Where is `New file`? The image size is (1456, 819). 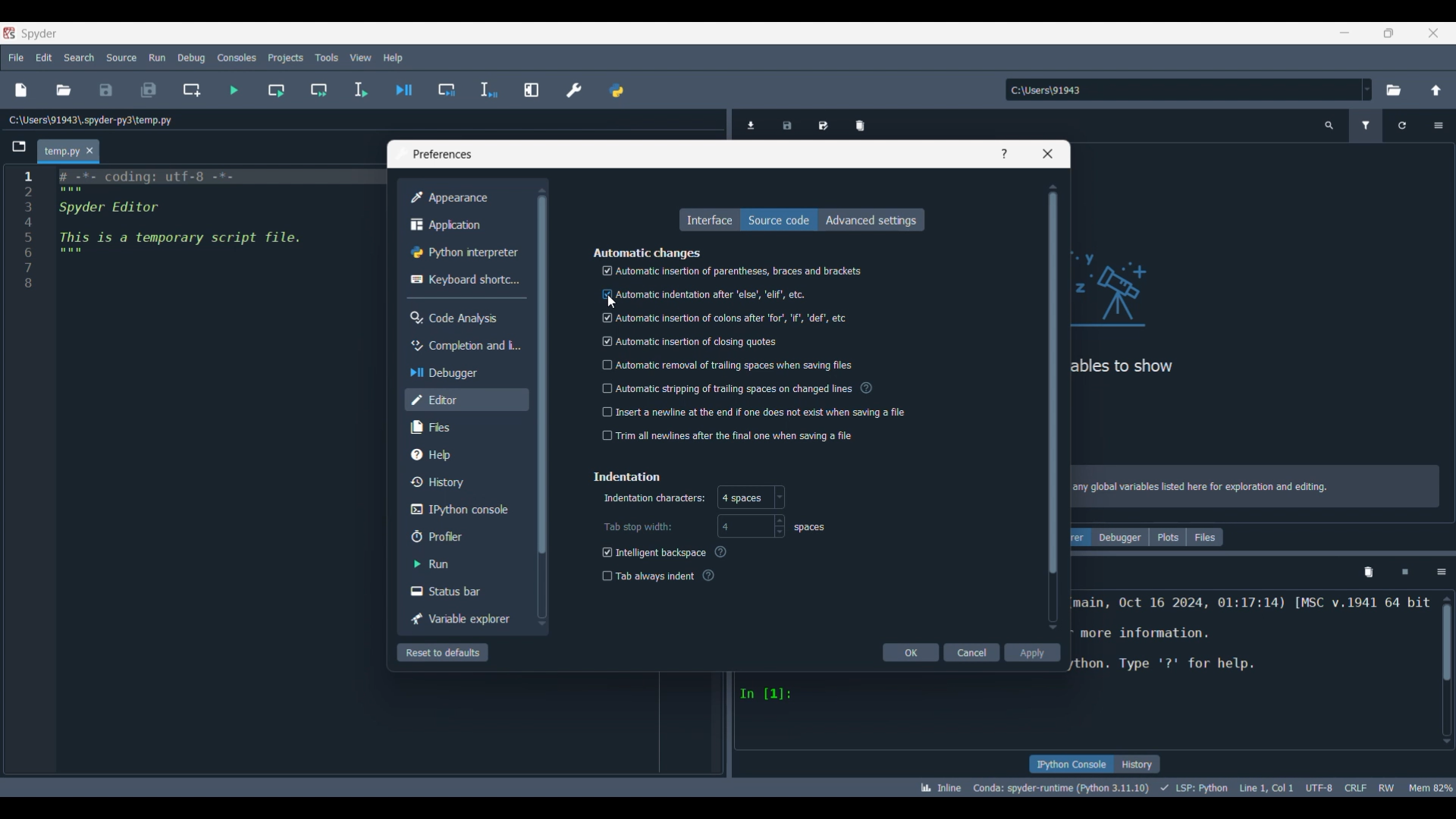 New file is located at coordinates (21, 90).